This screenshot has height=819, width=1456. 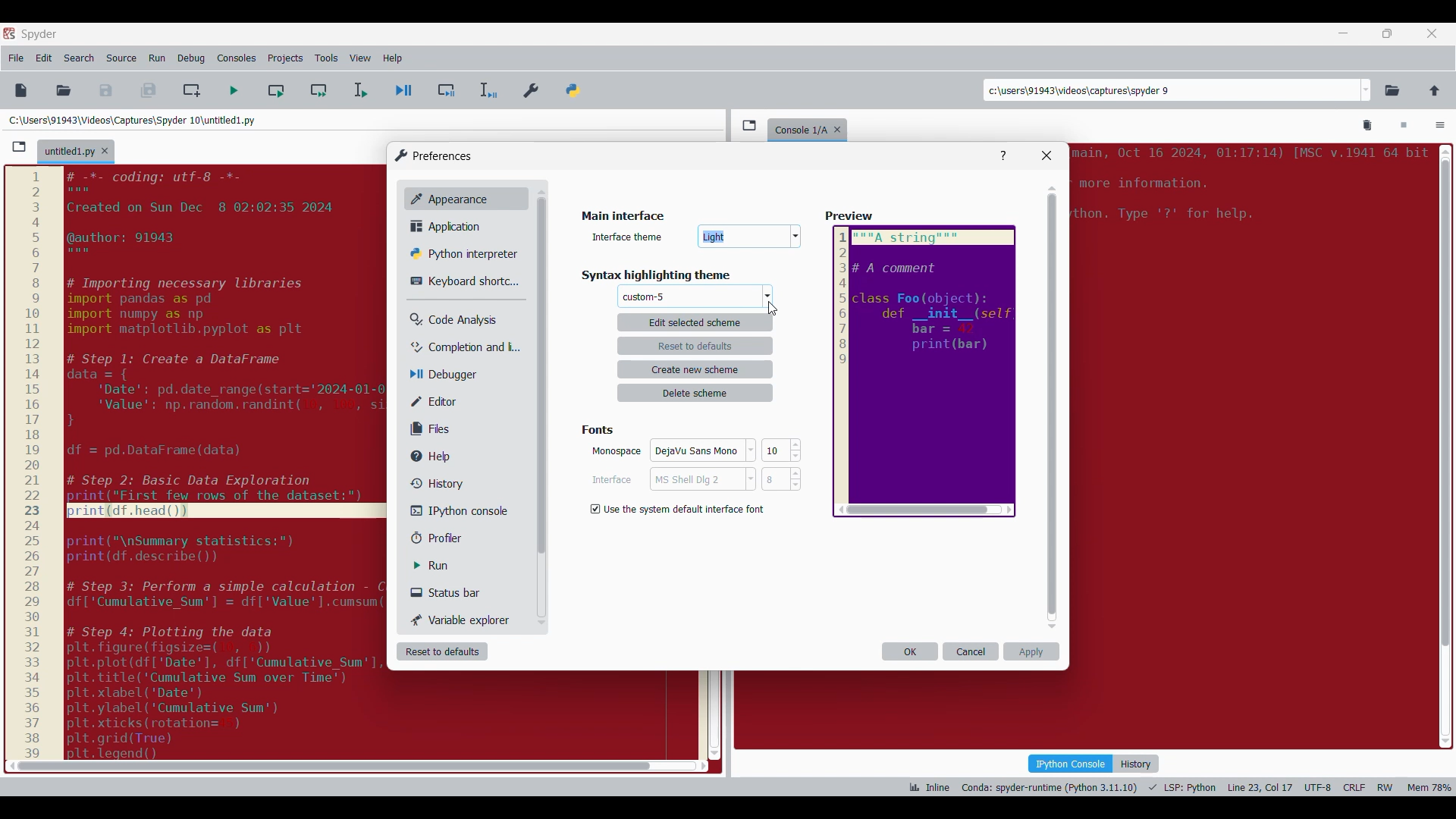 I want to click on code, so click(x=227, y=461).